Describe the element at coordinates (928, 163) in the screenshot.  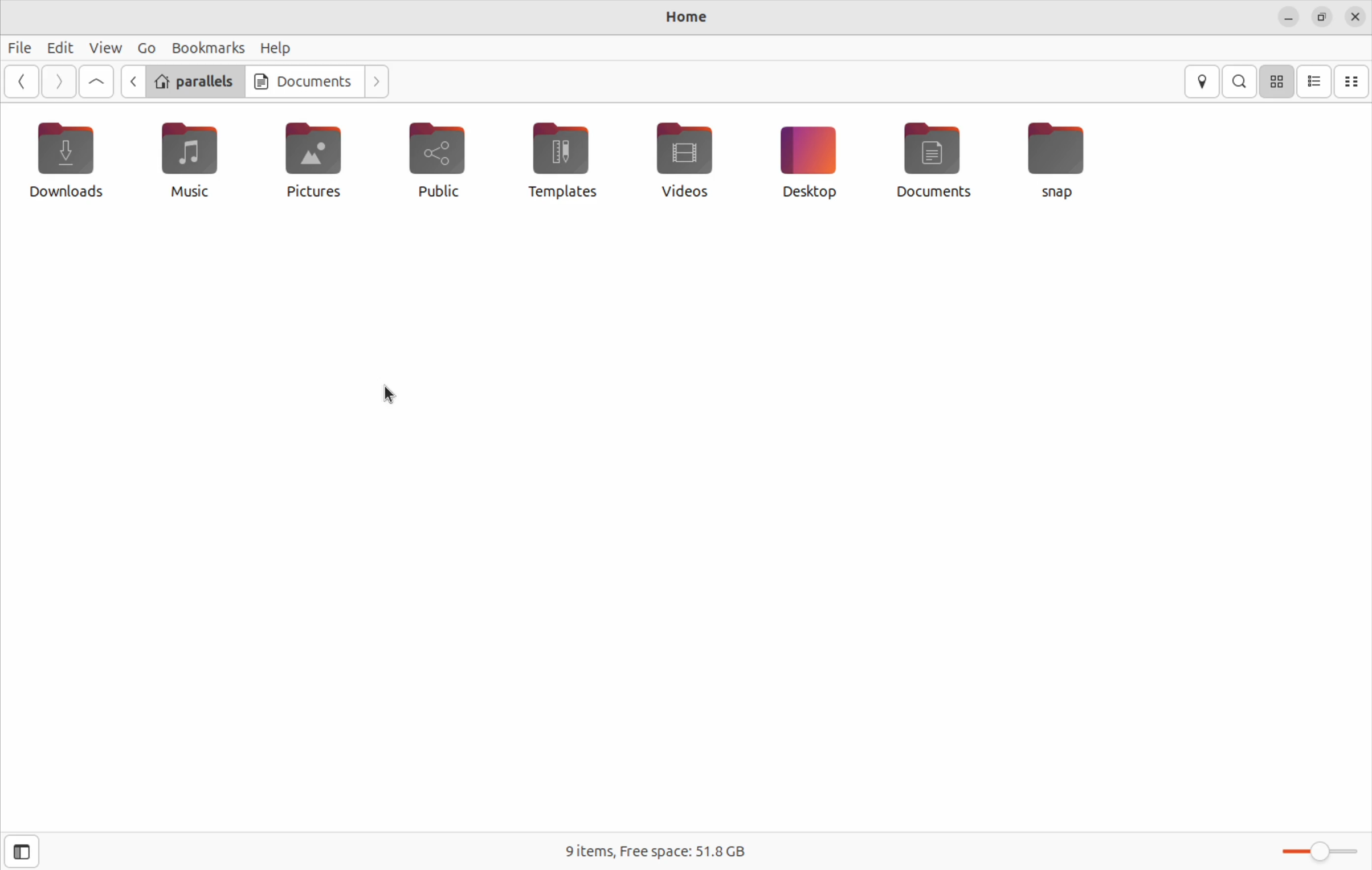
I see `documents` at that location.